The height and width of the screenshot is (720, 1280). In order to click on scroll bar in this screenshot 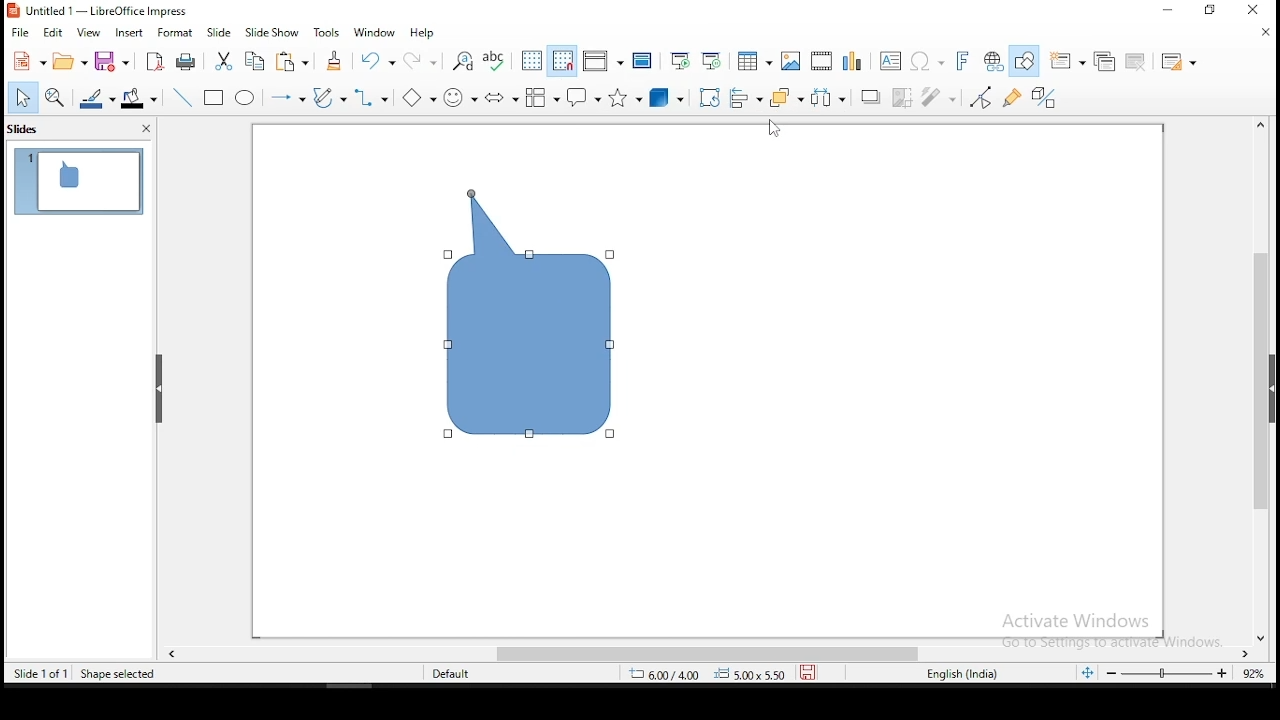, I will do `click(719, 655)`.